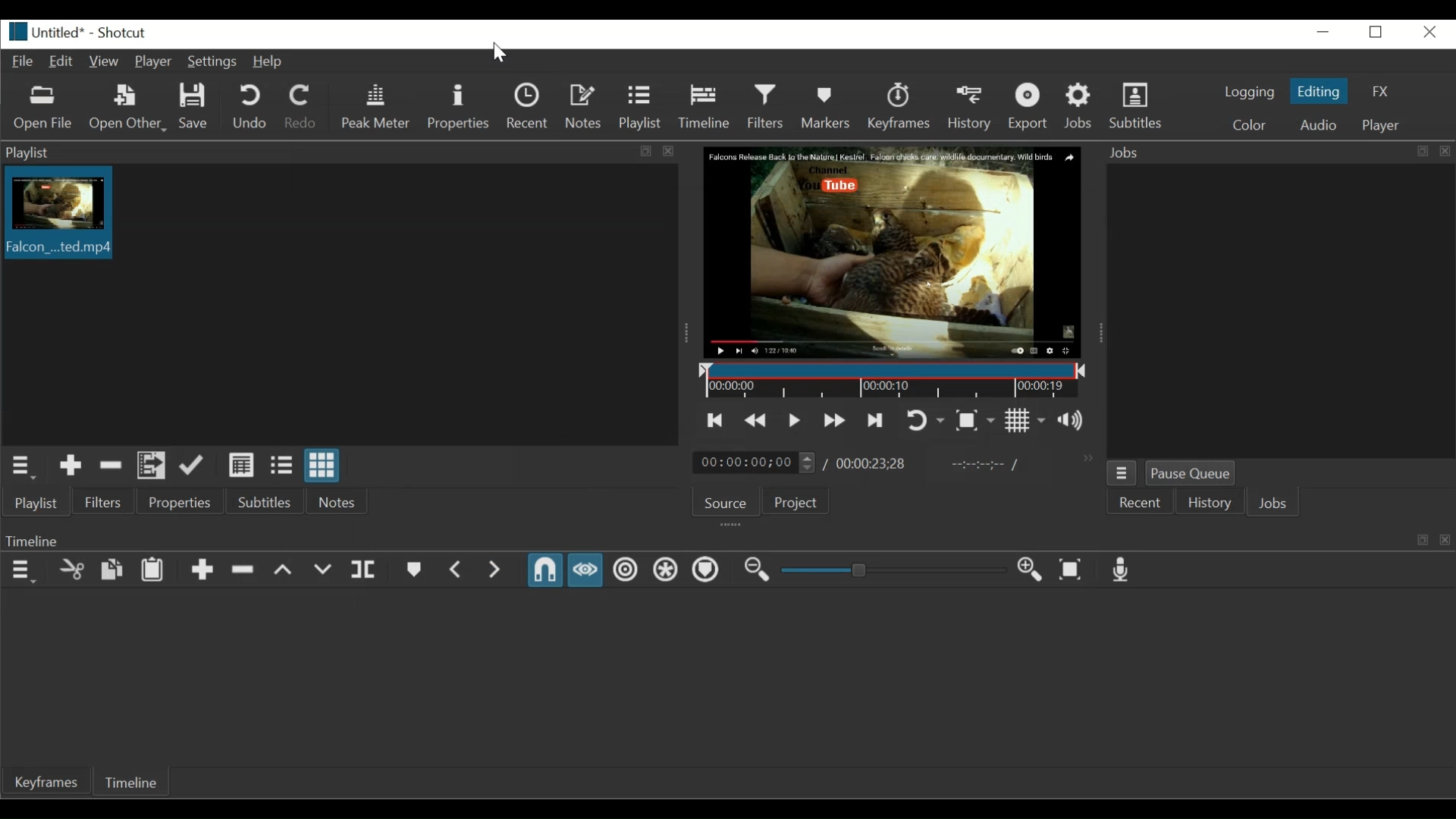  What do you see at coordinates (1250, 91) in the screenshot?
I see `logging` at bounding box center [1250, 91].